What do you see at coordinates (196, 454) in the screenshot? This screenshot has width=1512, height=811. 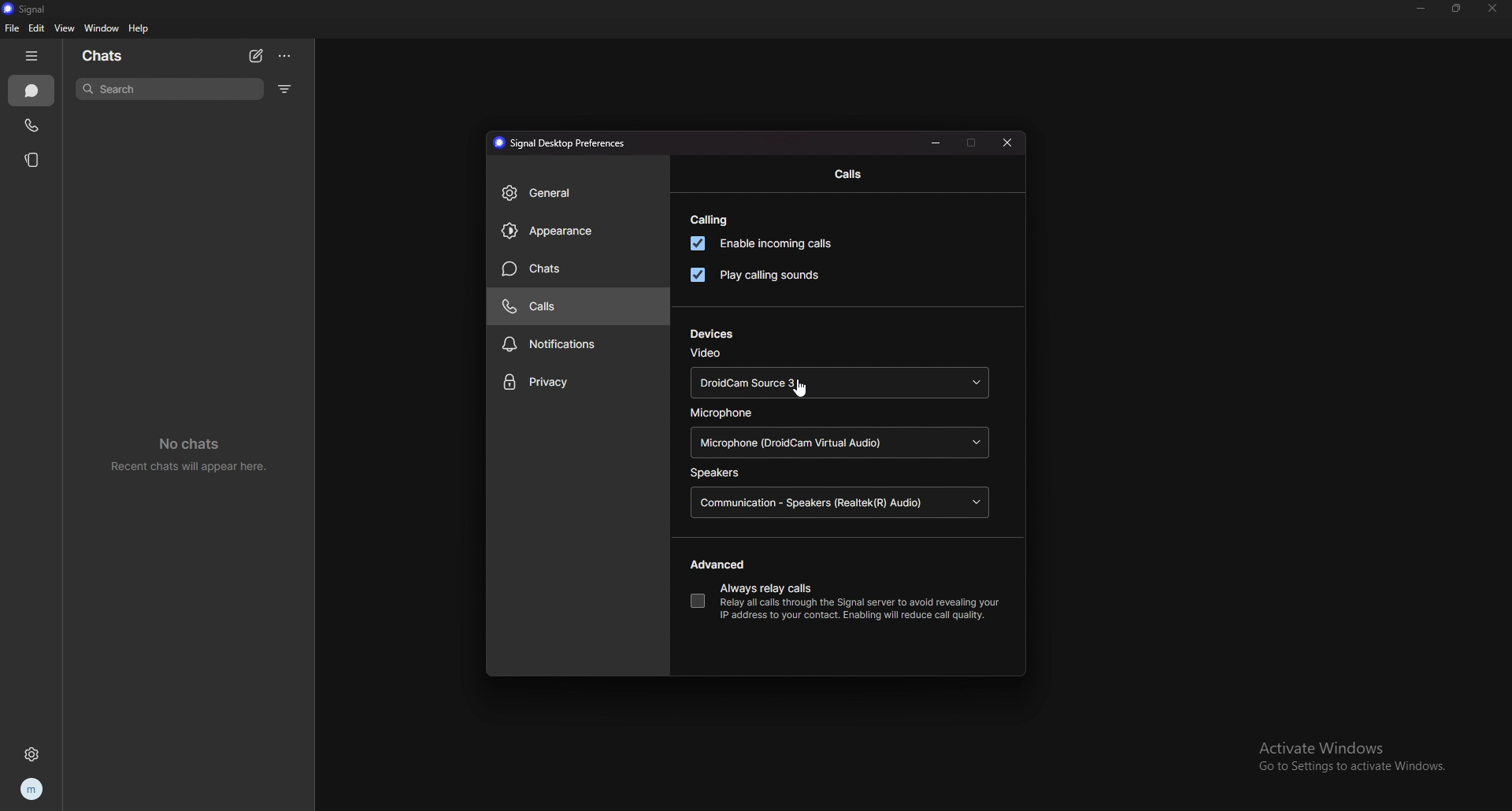 I see `no chats` at bounding box center [196, 454].